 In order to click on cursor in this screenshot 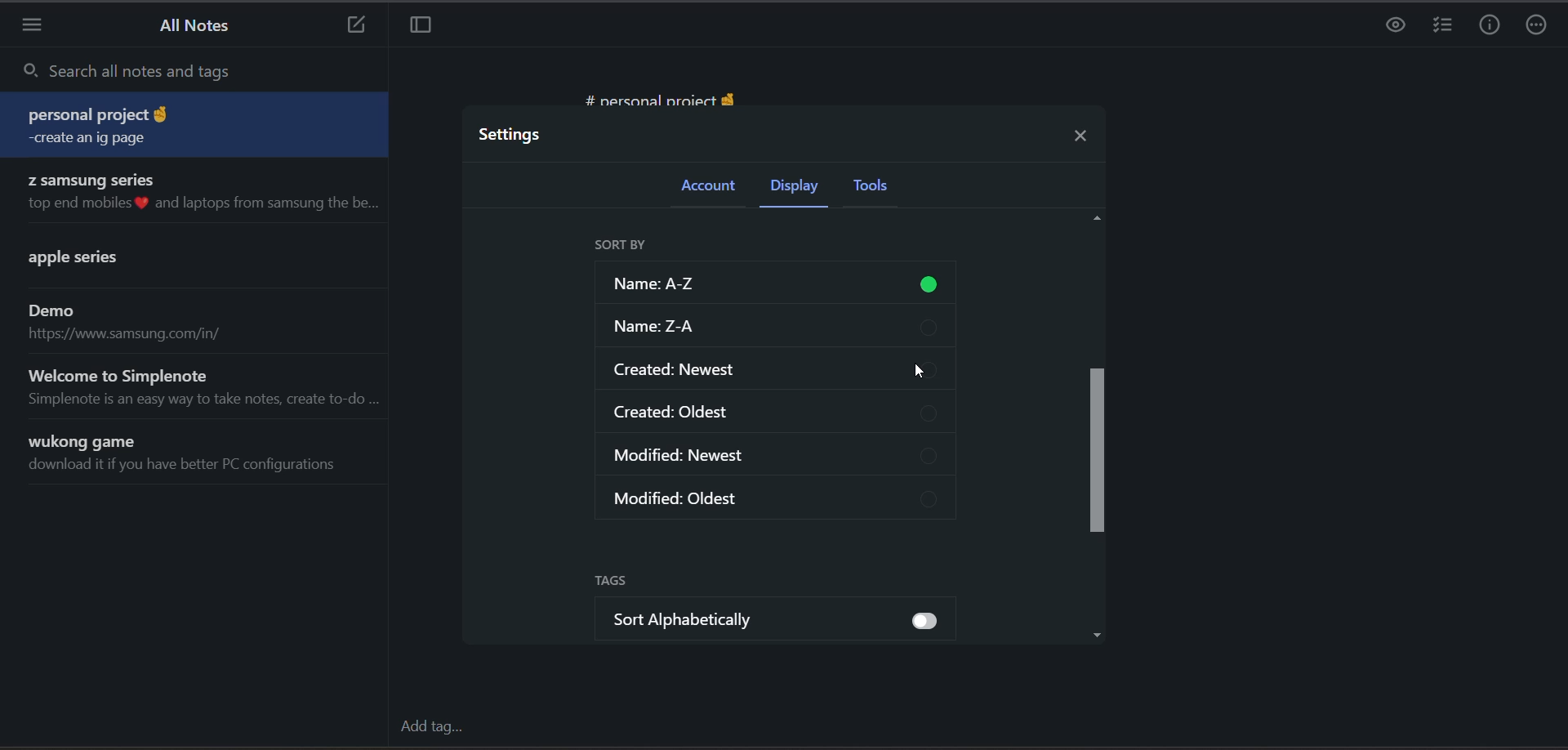, I will do `click(921, 372)`.